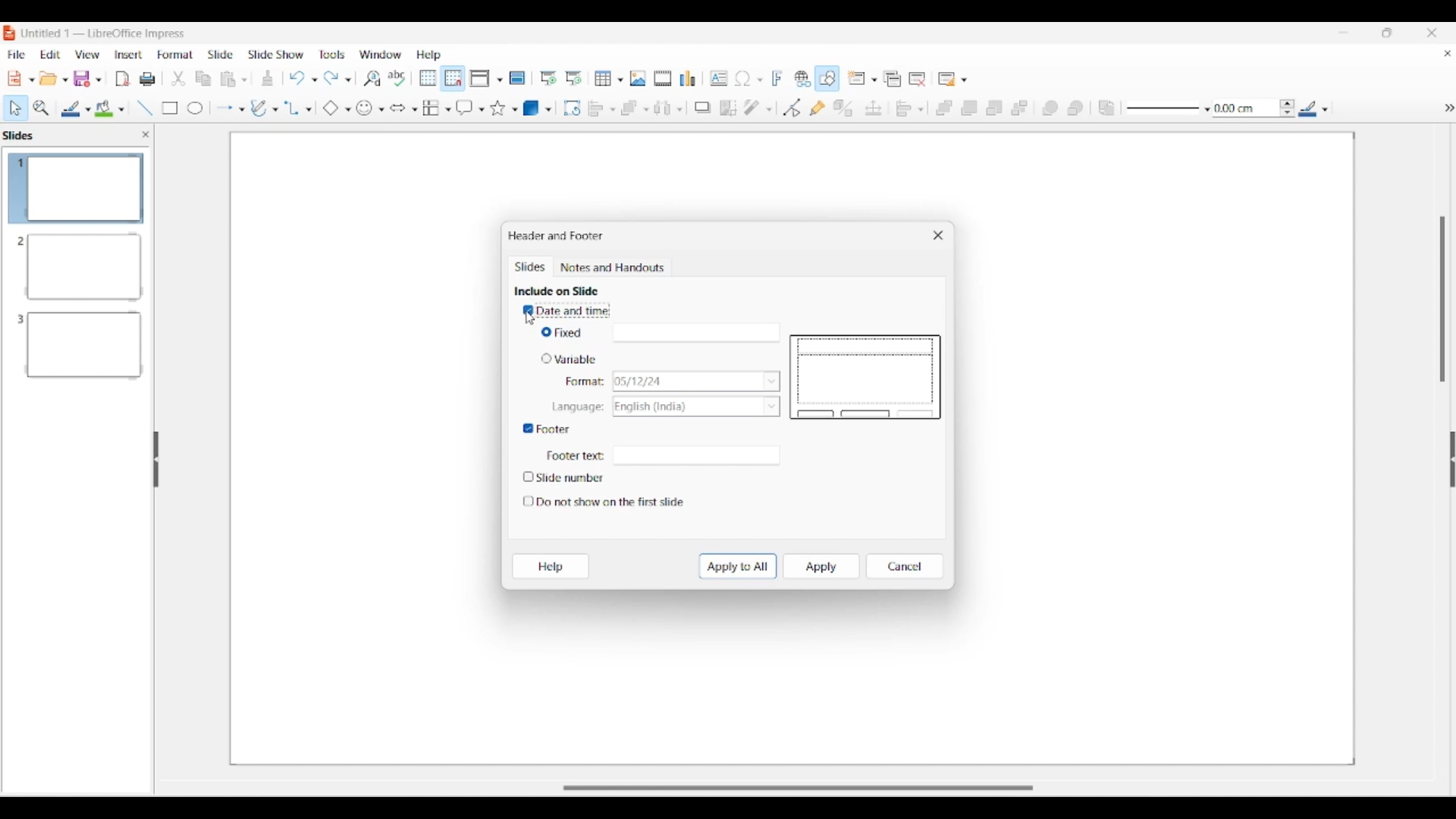 The width and height of the screenshot is (1456, 819). What do you see at coordinates (10, 33) in the screenshot?
I see `Software logo` at bounding box center [10, 33].